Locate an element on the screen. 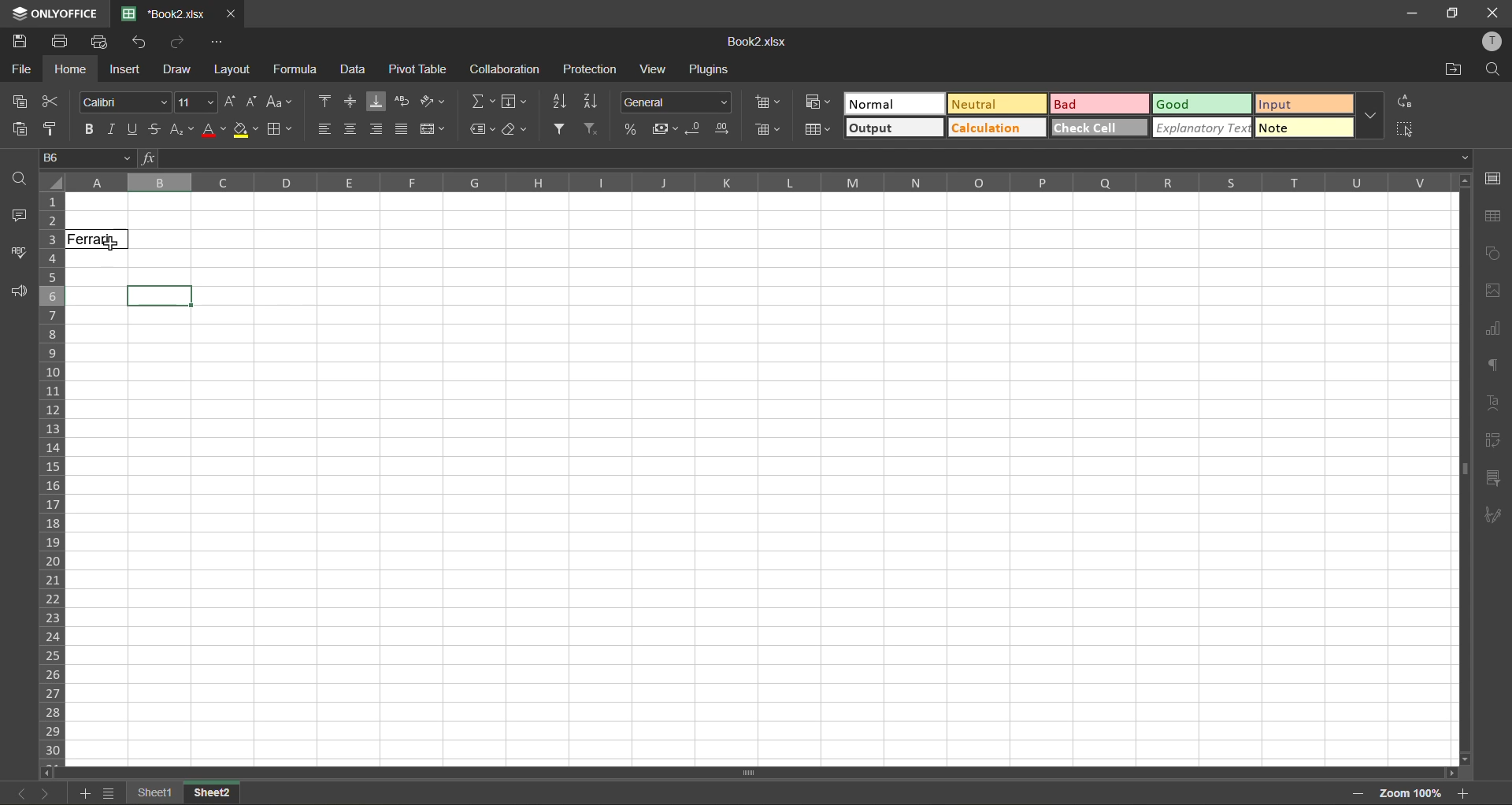  formula bar is located at coordinates (806, 158).